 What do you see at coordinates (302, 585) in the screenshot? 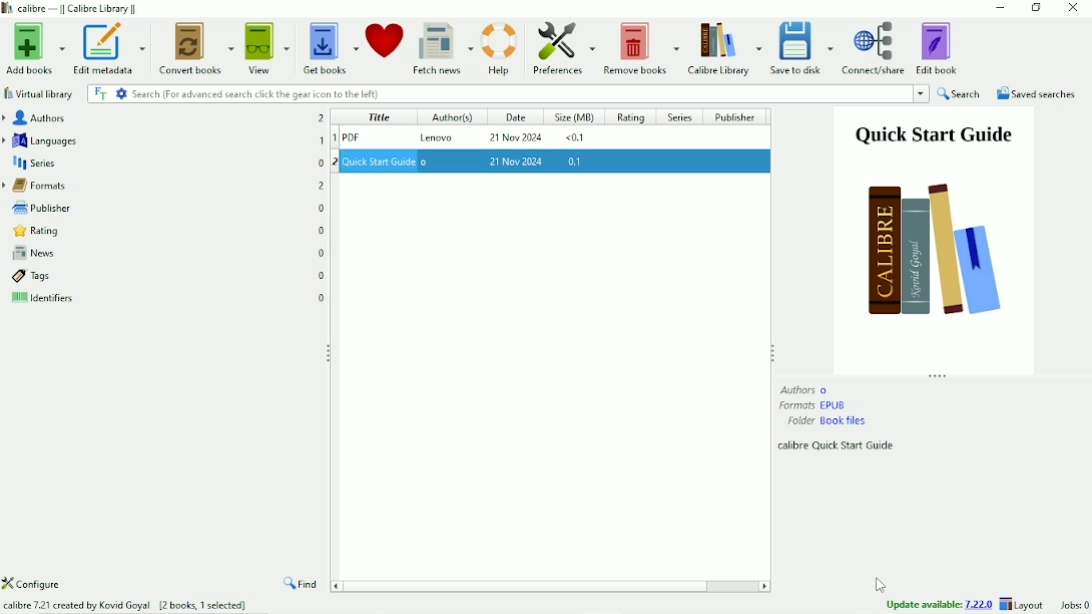
I see `Find` at bounding box center [302, 585].